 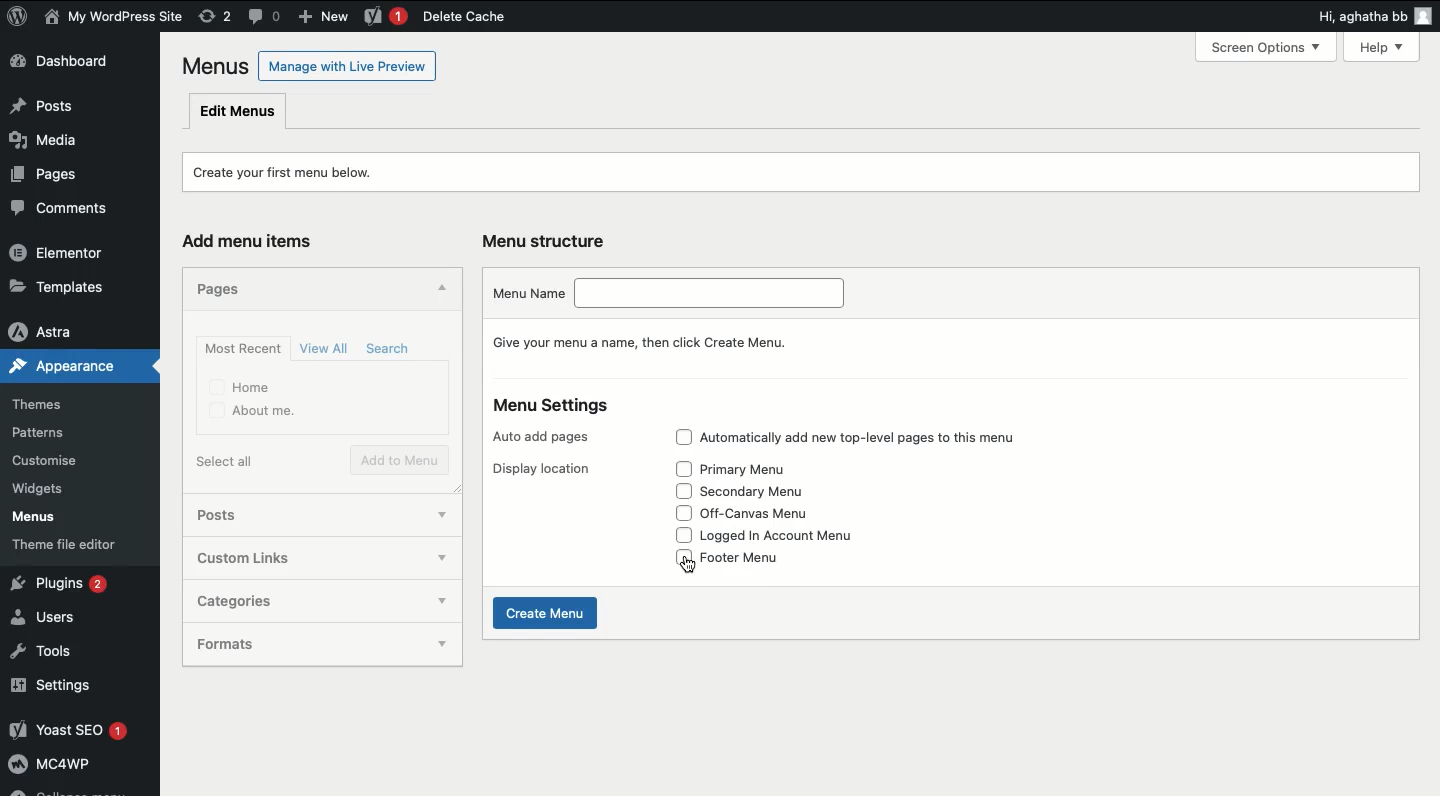 What do you see at coordinates (677, 536) in the screenshot?
I see `Check box` at bounding box center [677, 536].